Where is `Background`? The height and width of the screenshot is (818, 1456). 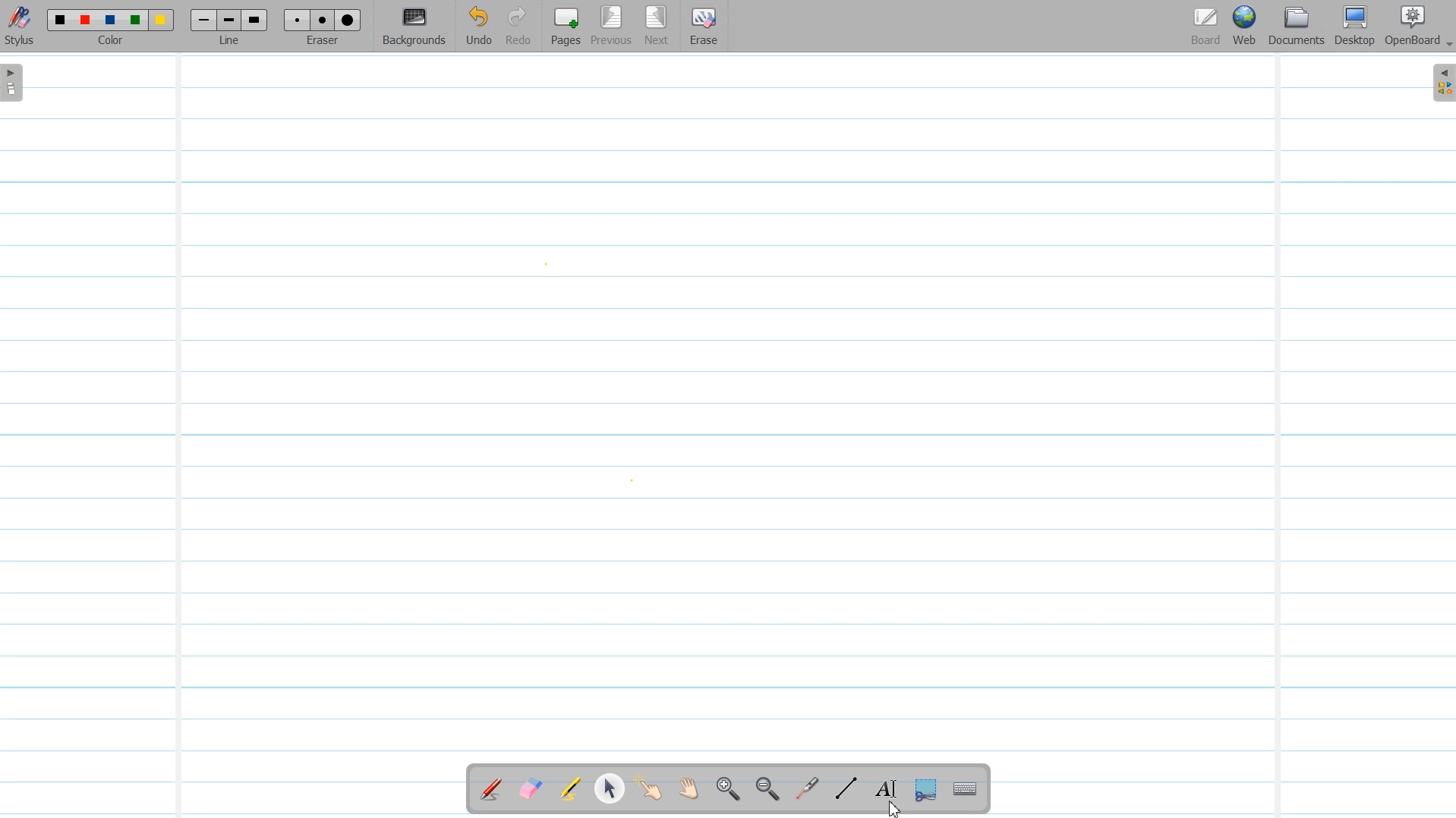
Background is located at coordinates (415, 27).